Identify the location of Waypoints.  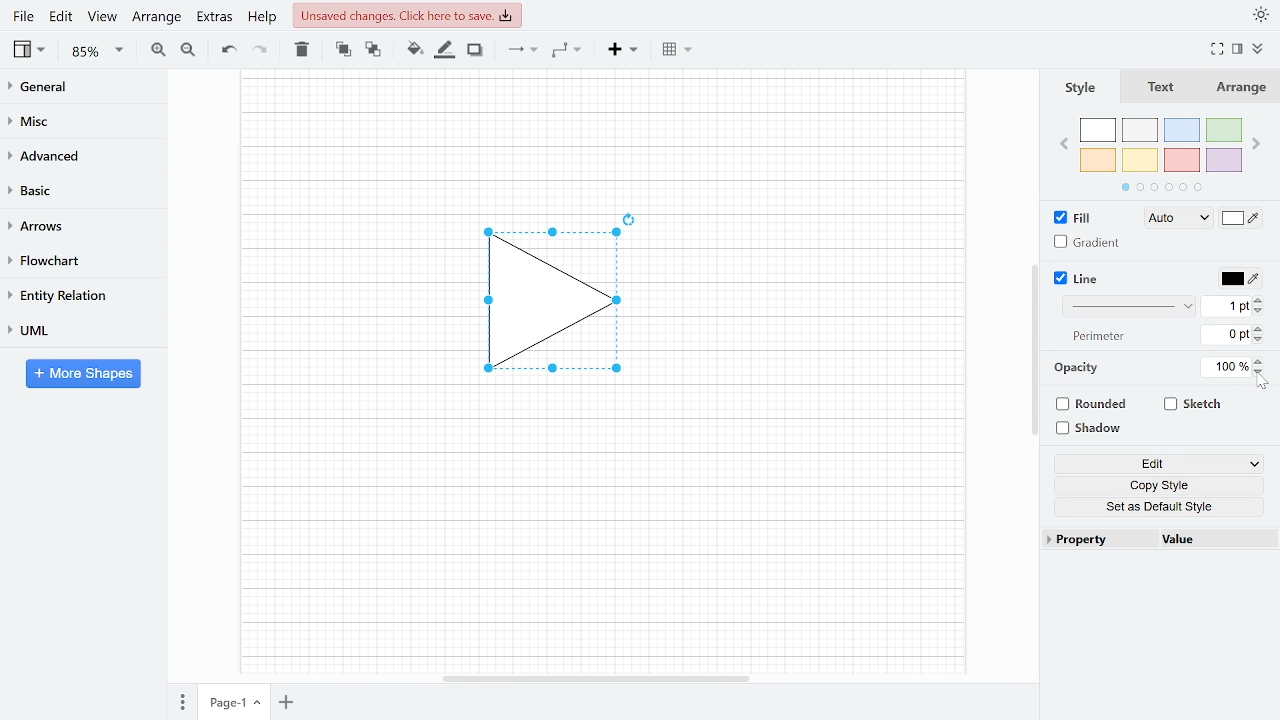
(568, 49).